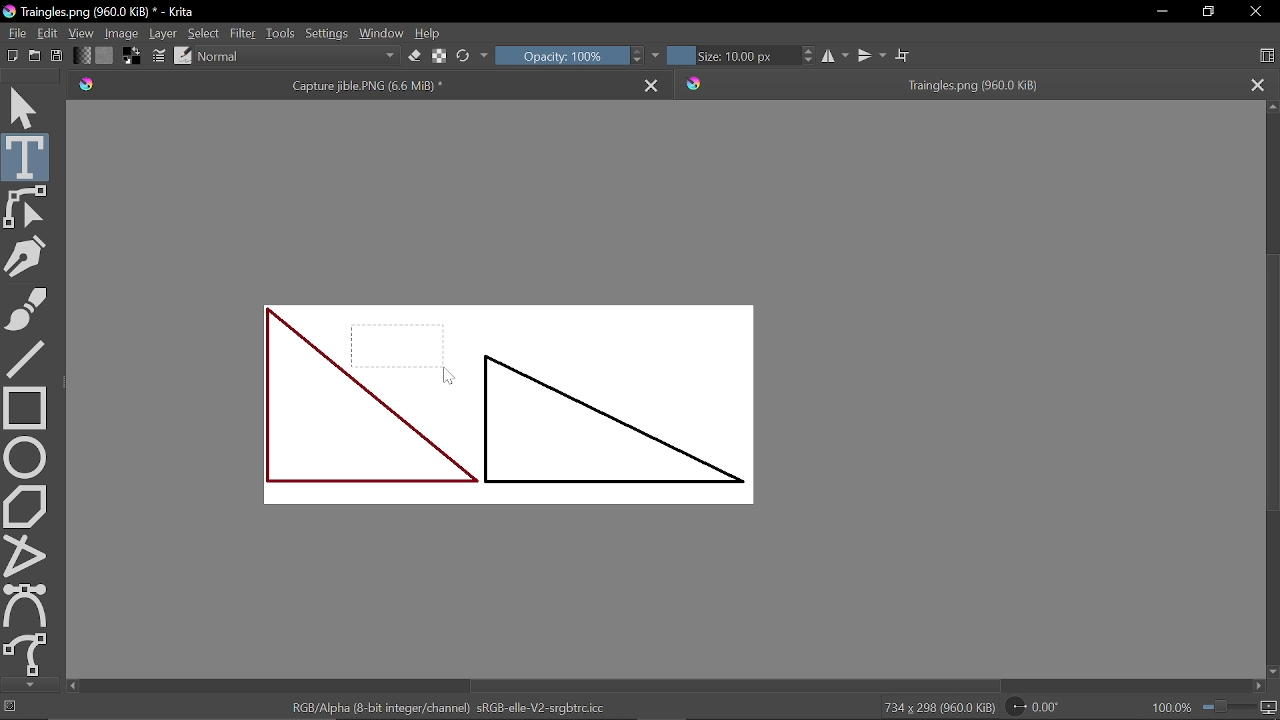 This screenshot has width=1280, height=720. What do you see at coordinates (455, 707) in the screenshot?
I see `RGB/Alpha (8 - bit integer/channel) sRGB` at bounding box center [455, 707].